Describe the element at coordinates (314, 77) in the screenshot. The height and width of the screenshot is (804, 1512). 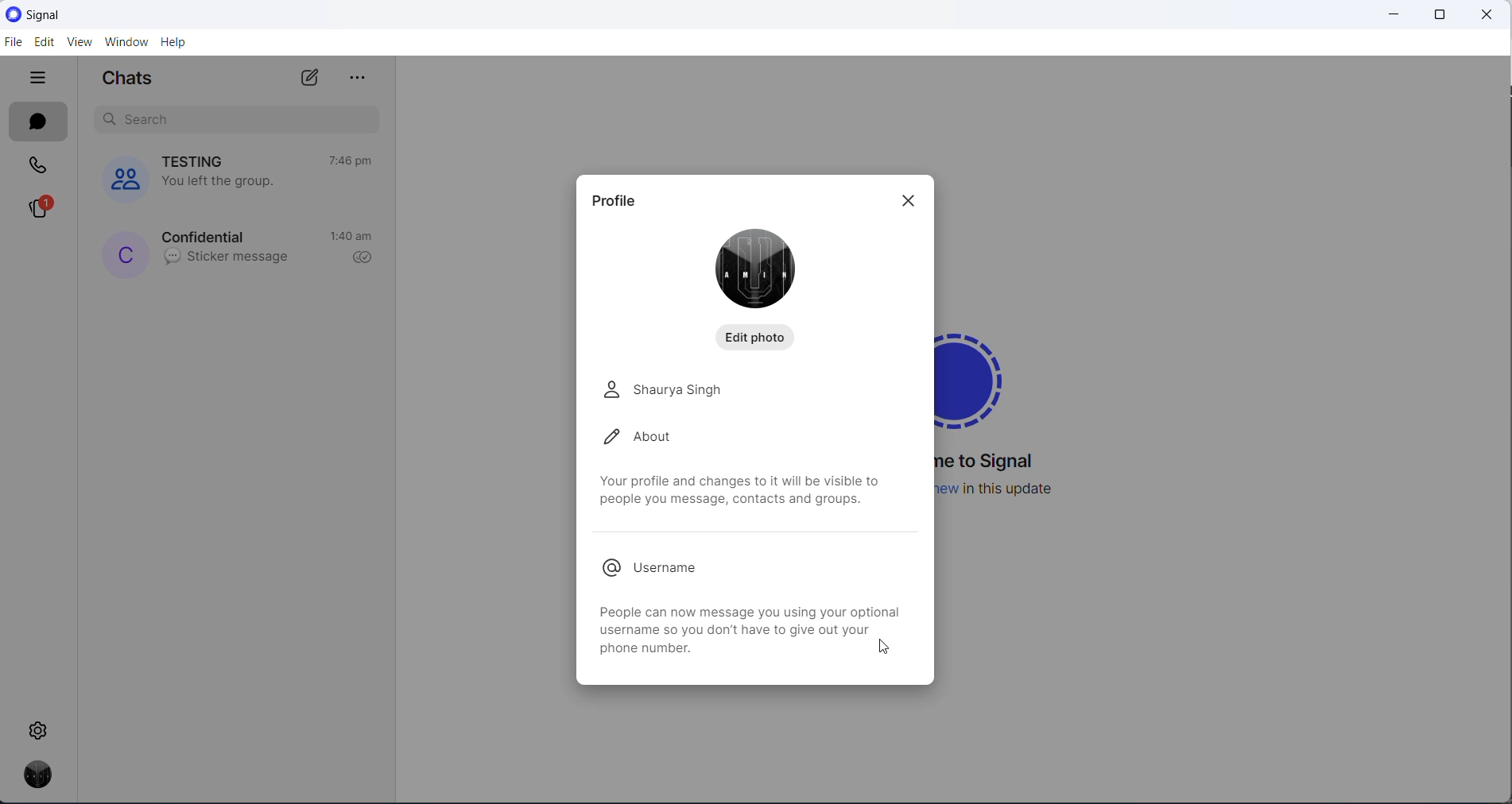
I see `new chats` at that location.